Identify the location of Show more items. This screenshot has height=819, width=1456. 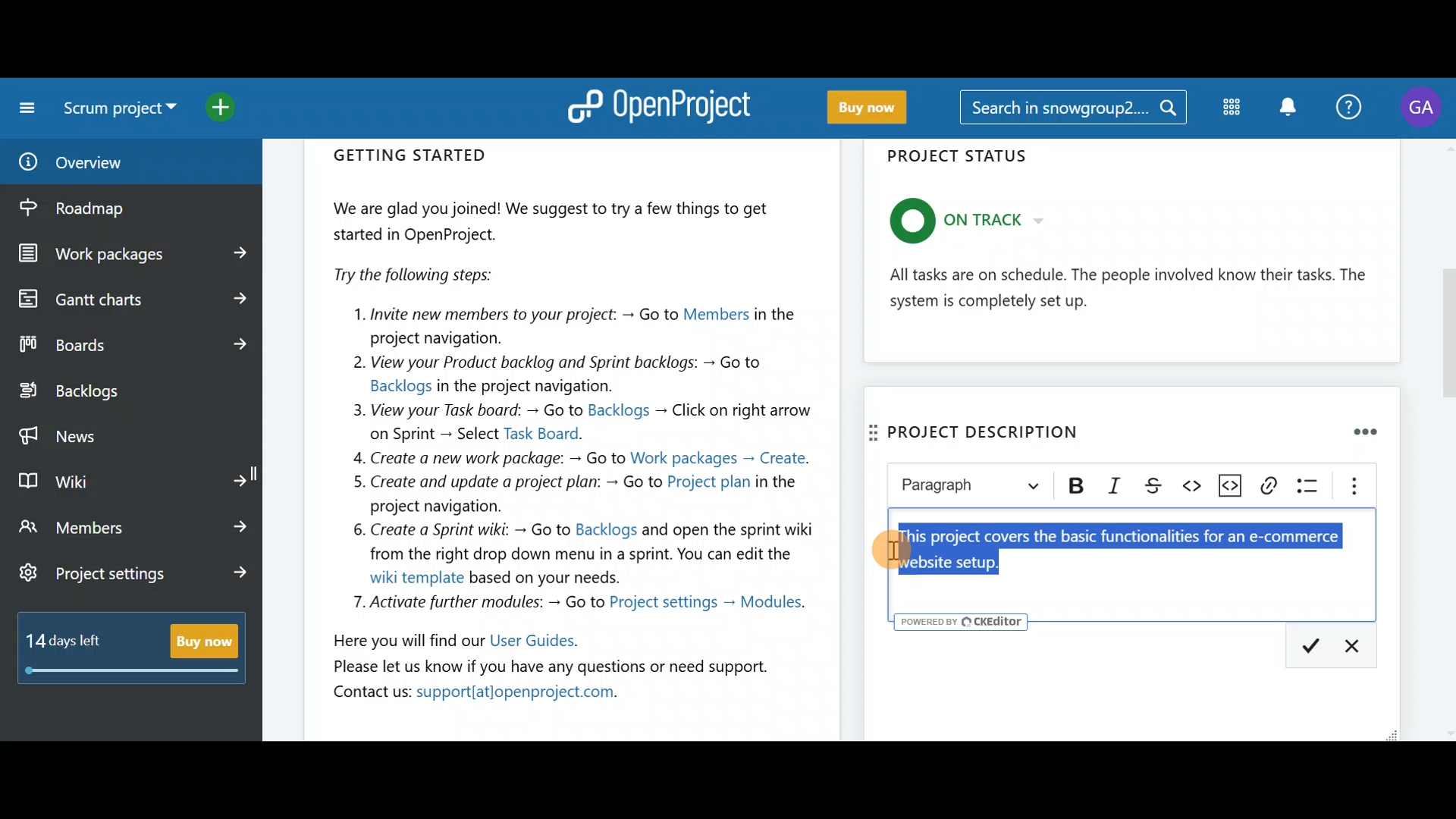
(1351, 486).